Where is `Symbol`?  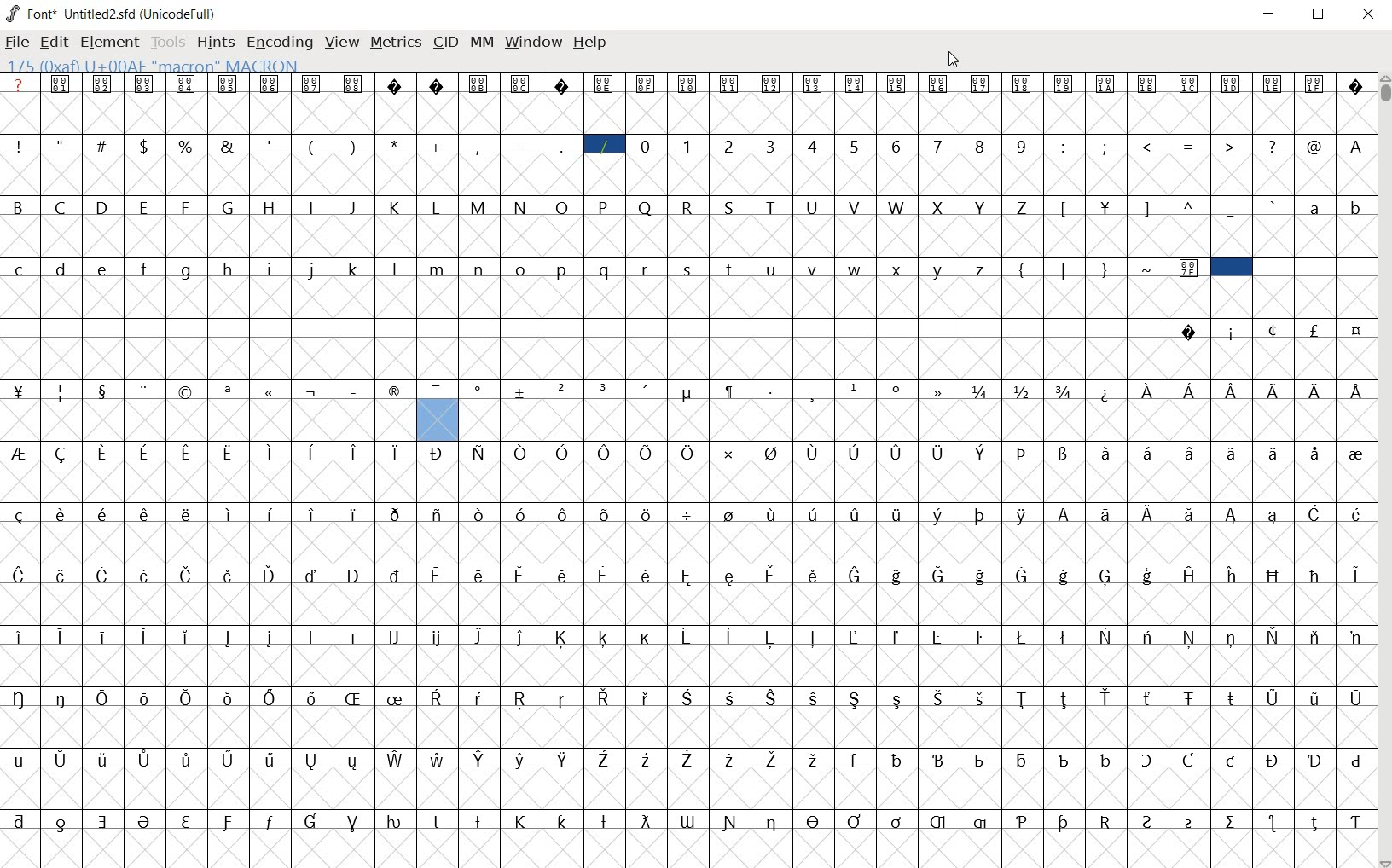 Symbol is located at coordinates (647, 452).